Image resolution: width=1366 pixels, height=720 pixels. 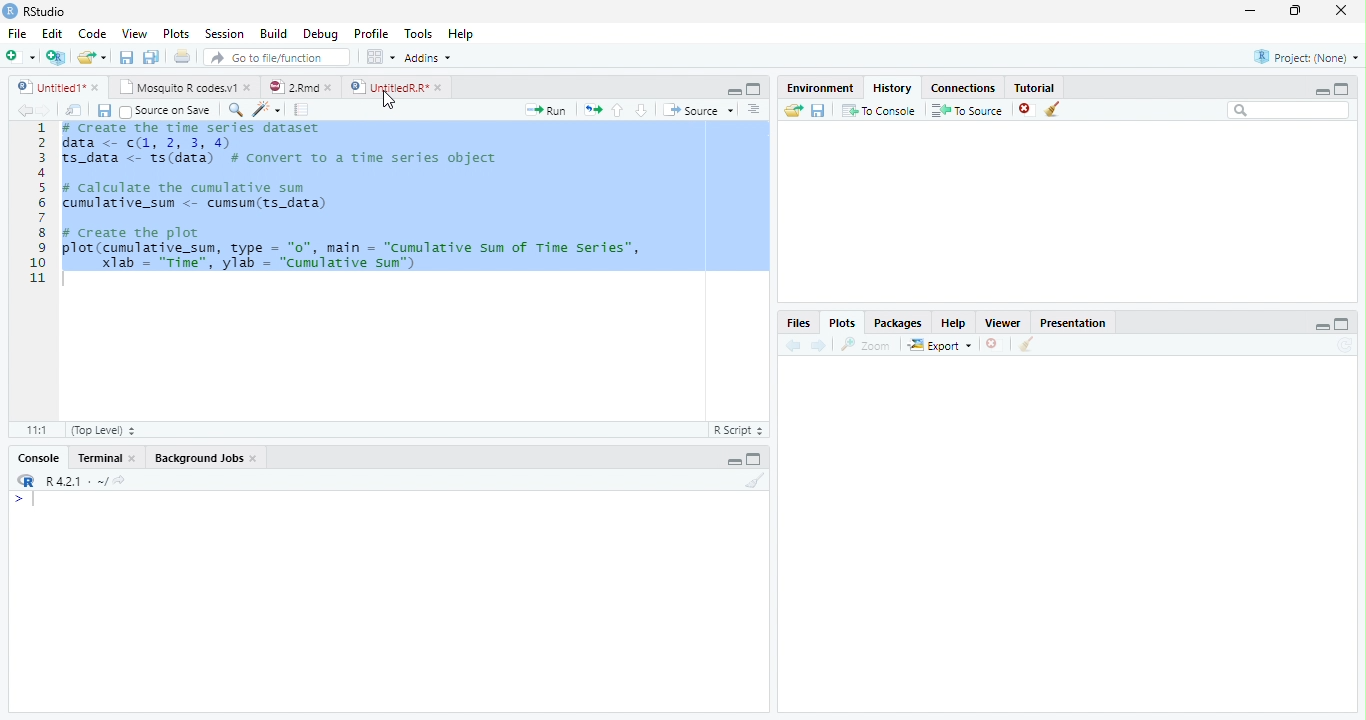 What do you see at coordinates (23, 111) in the screenshot?
I see `Back` at bounding box center [23, 111].